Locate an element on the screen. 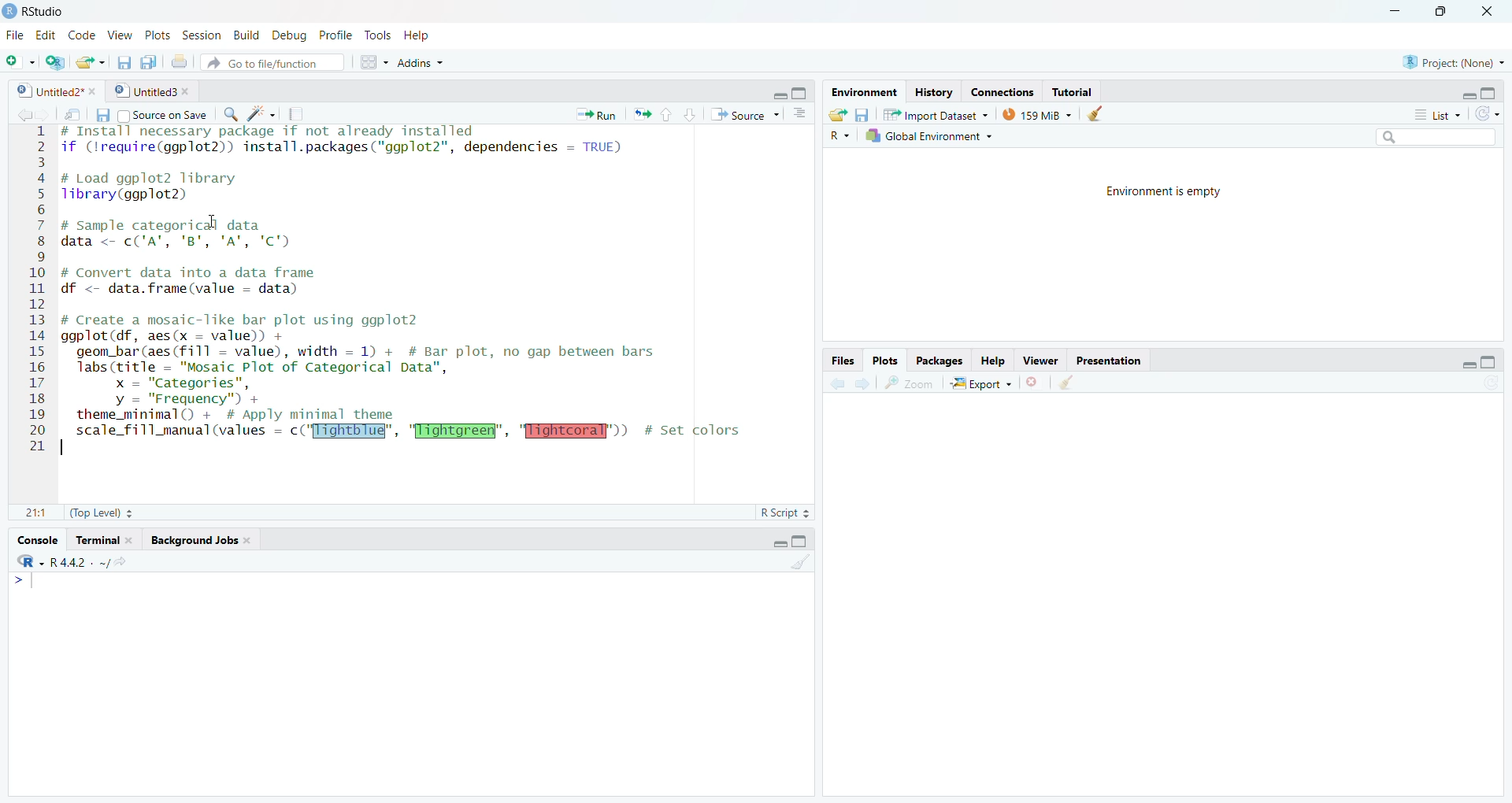 The image size is (1512, 803). Global Environment is located at coordinates (928, 135).